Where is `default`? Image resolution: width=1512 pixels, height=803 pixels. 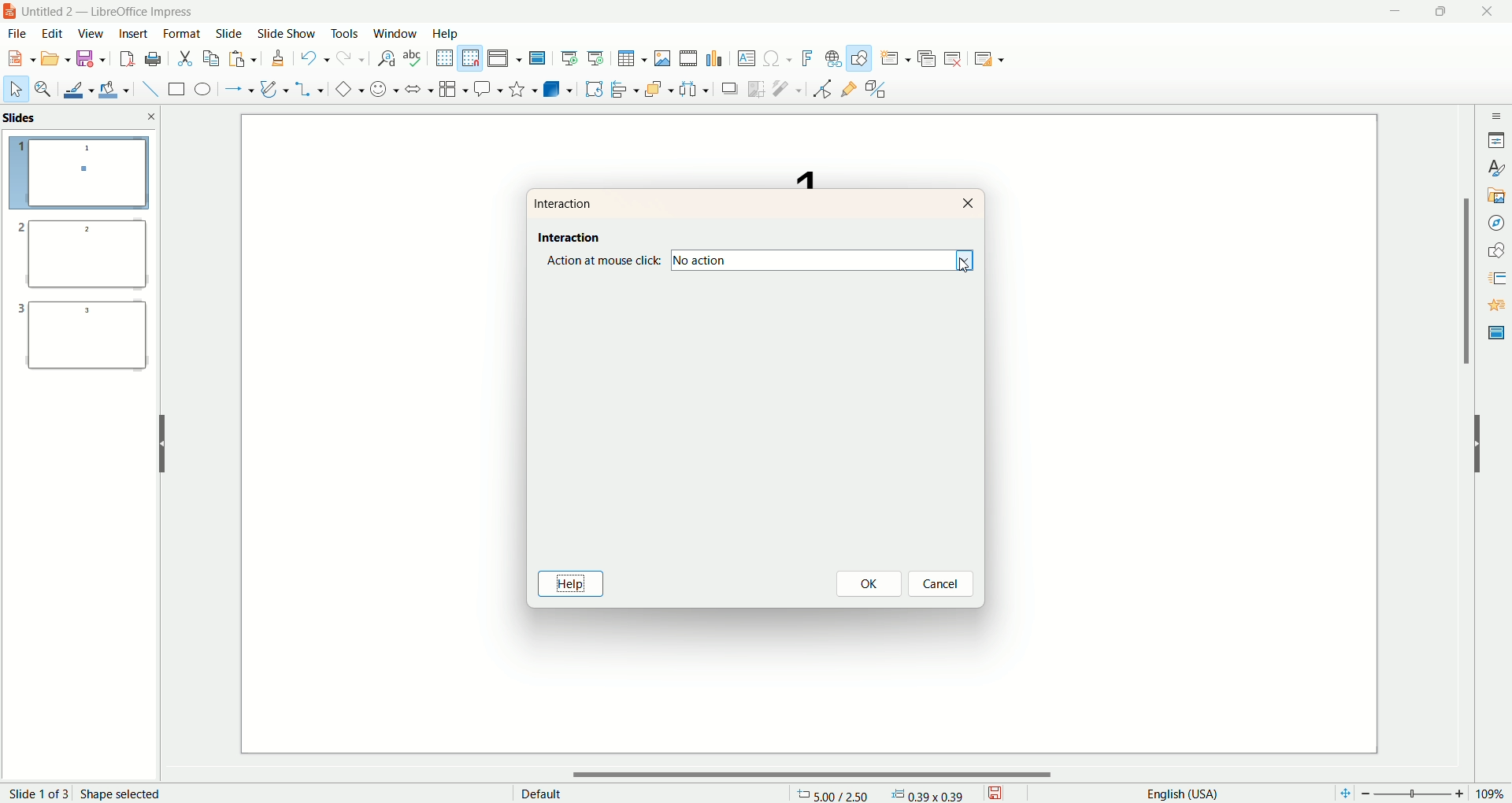 default is located at coordinates (539, 792).